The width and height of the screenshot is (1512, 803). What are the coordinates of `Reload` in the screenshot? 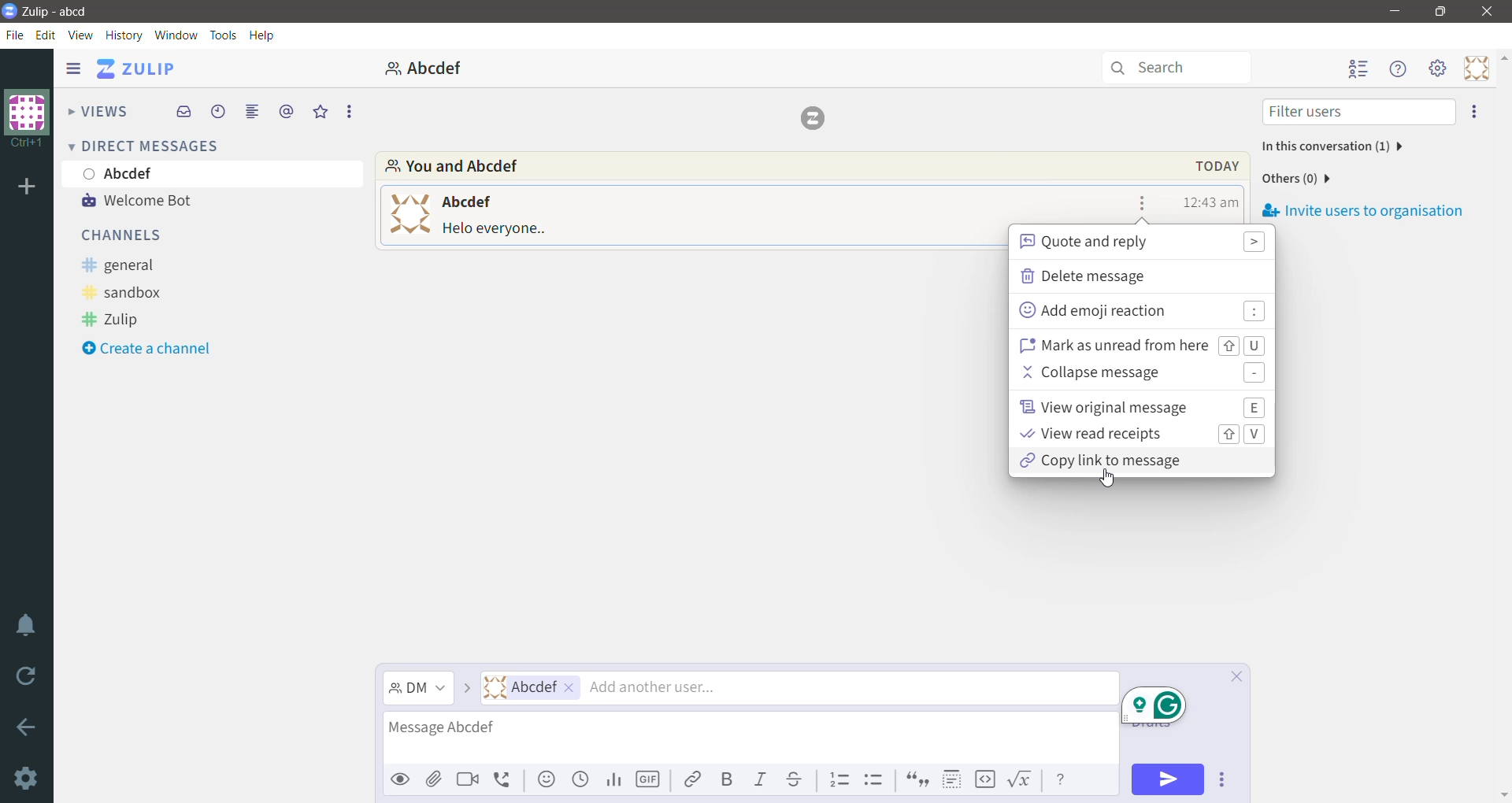 It's located at (28, 677).